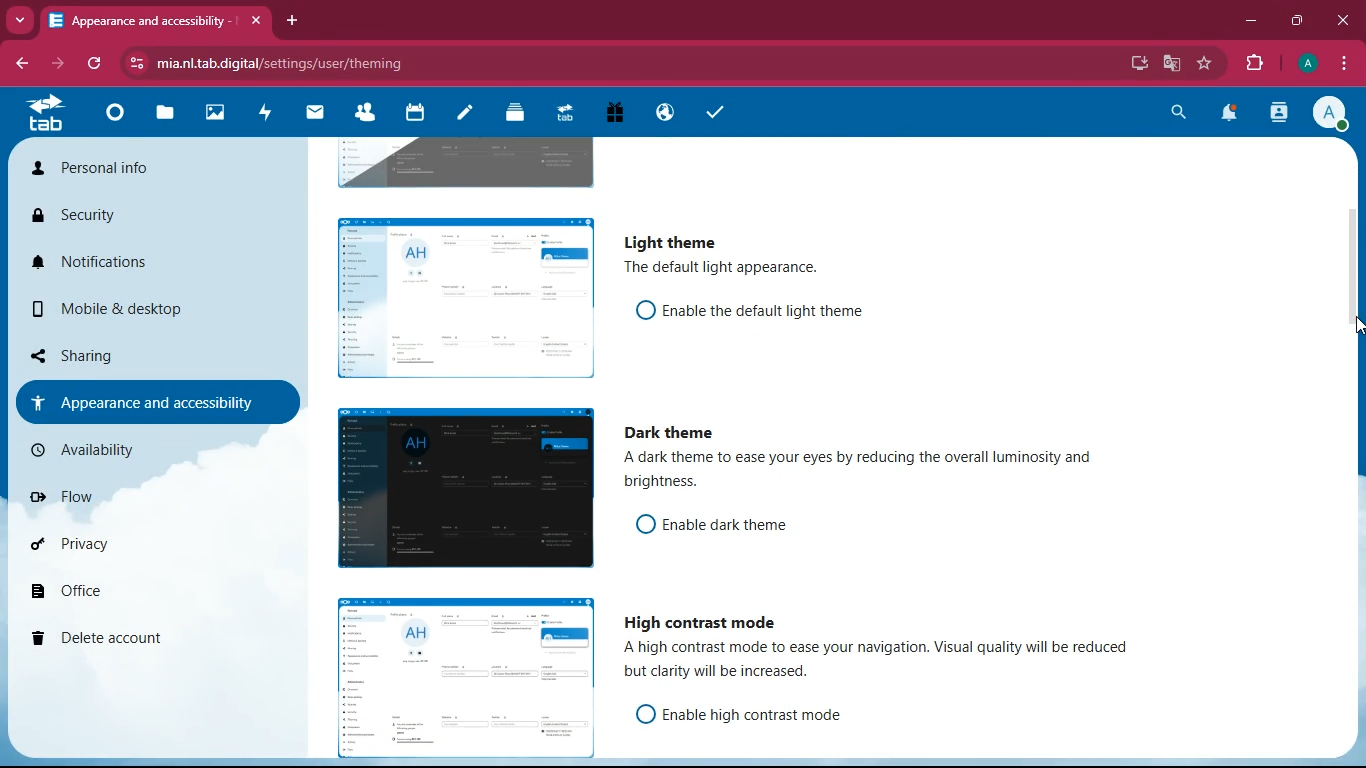 This screenshot has width=1366, height=768. What do you see at coordinates (1172, 63) in the screenshot?
I see `google translate` at bounding box center [1172, 63].